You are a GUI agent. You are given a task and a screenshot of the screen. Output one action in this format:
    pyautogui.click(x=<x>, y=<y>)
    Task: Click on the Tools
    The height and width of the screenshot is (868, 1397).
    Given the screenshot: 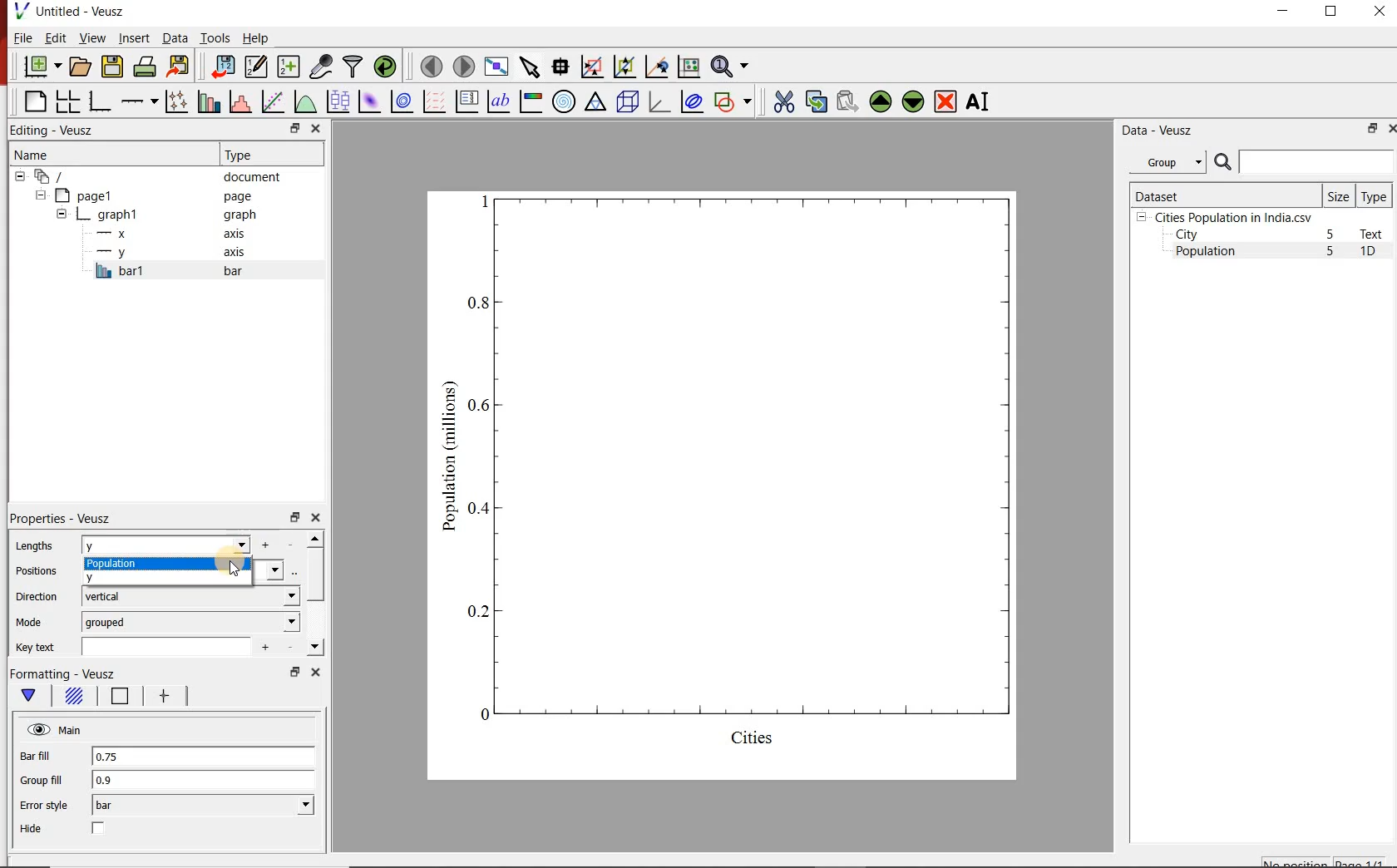 What is the action you would take?
    pyautogui.click(x=214, y=37)
    